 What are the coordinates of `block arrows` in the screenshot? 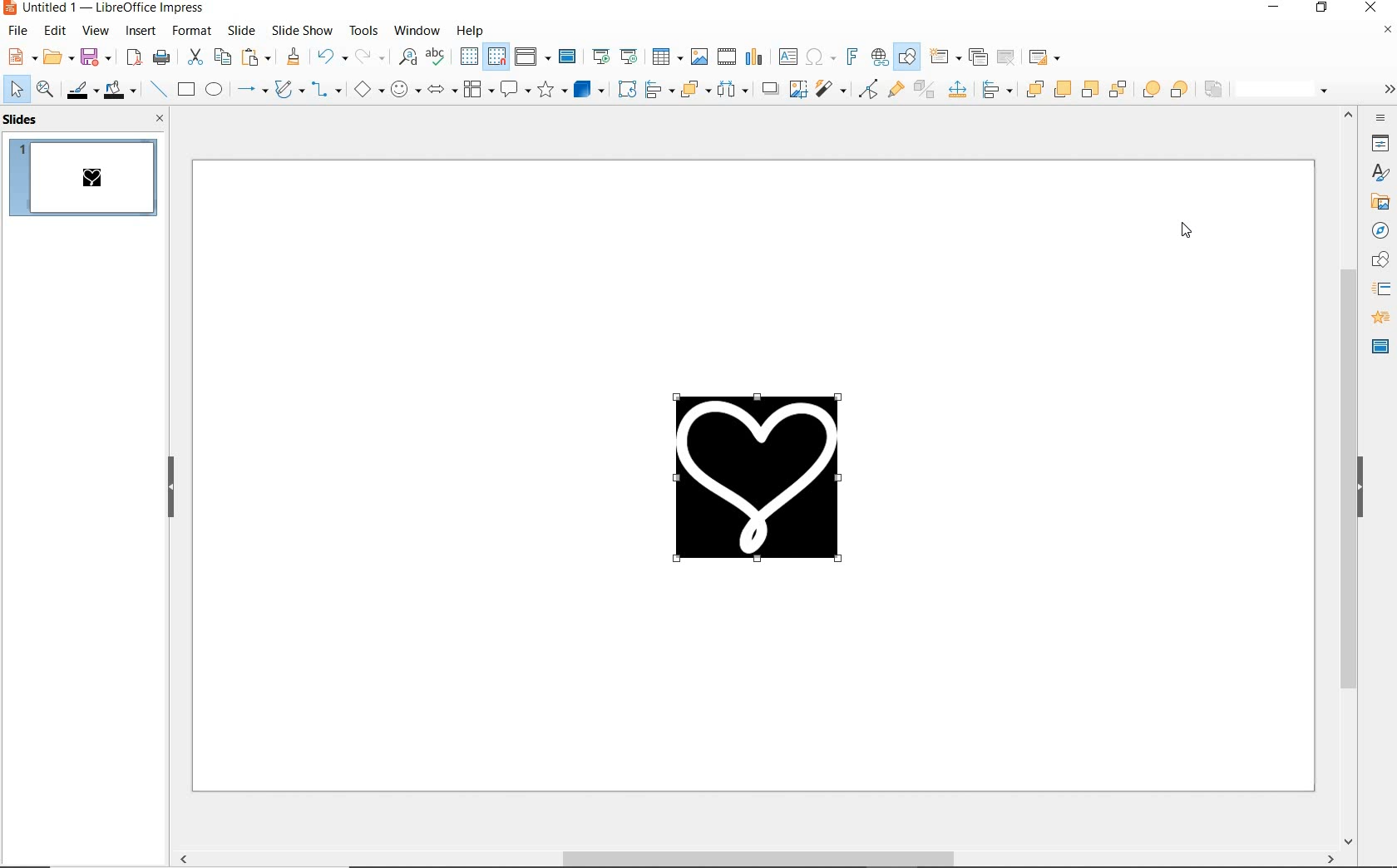 It's located at (441, 89).